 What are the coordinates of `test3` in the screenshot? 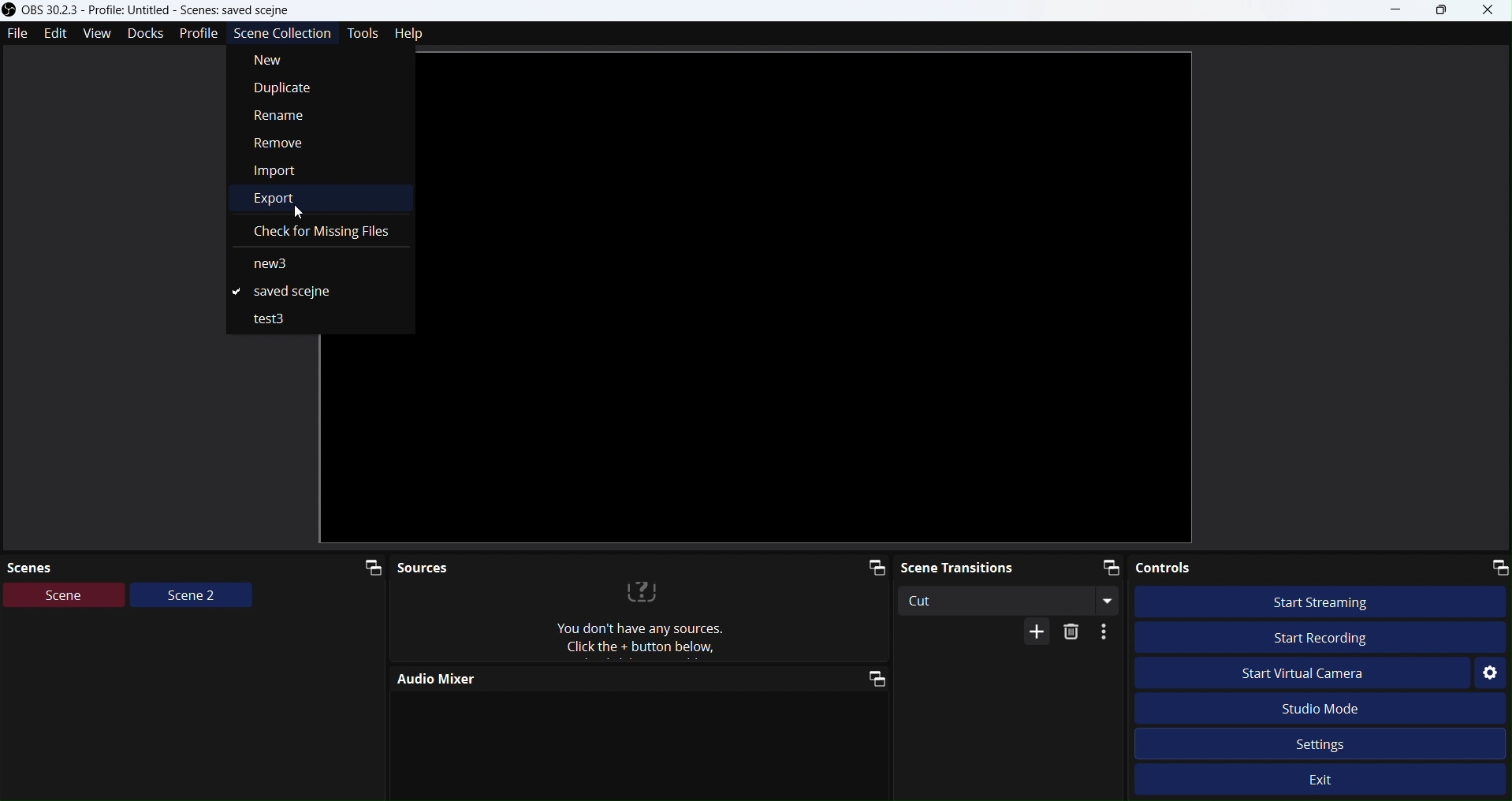 It's located at (269, 319).